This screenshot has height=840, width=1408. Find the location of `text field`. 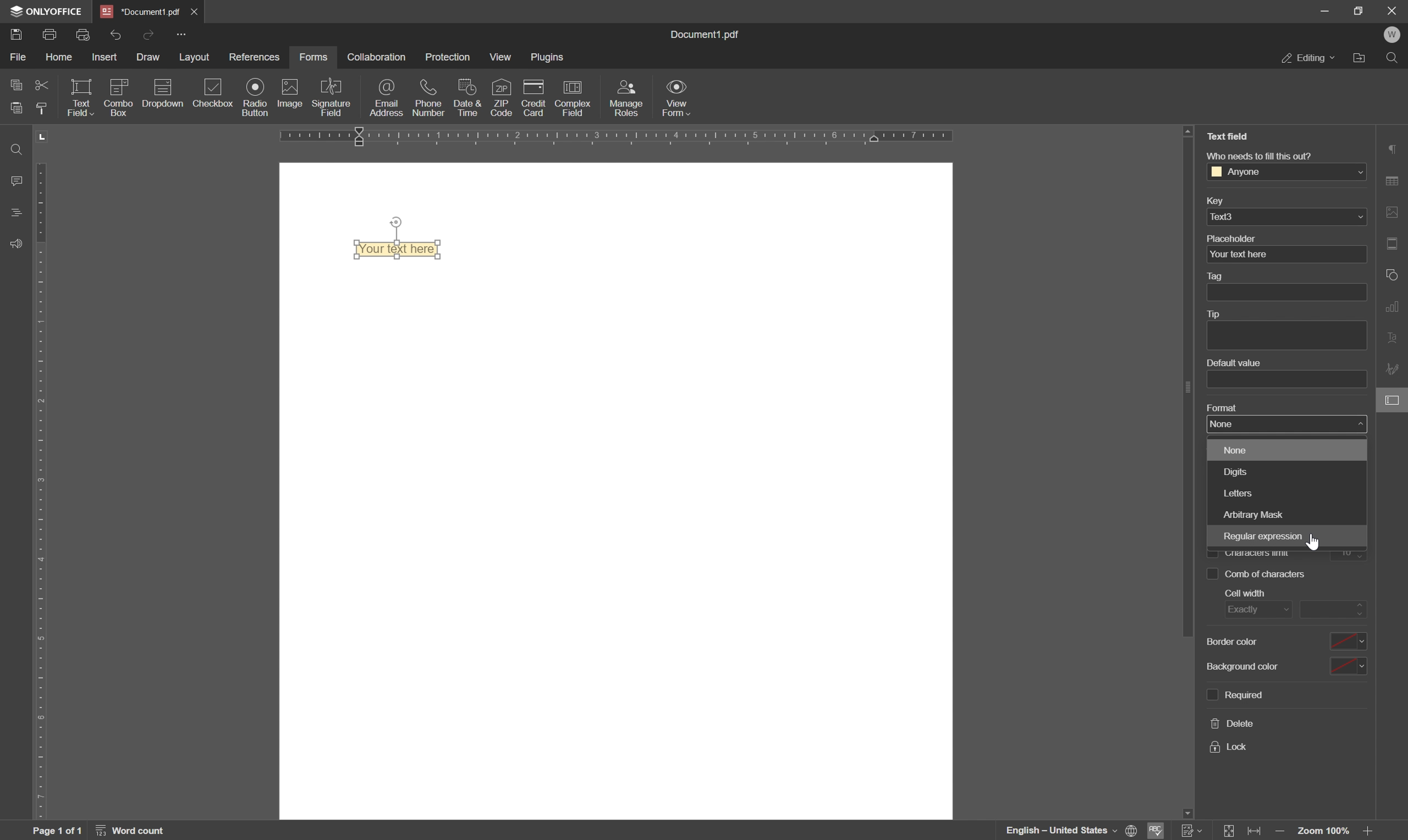

text field is located at coordinates (1228, 136).